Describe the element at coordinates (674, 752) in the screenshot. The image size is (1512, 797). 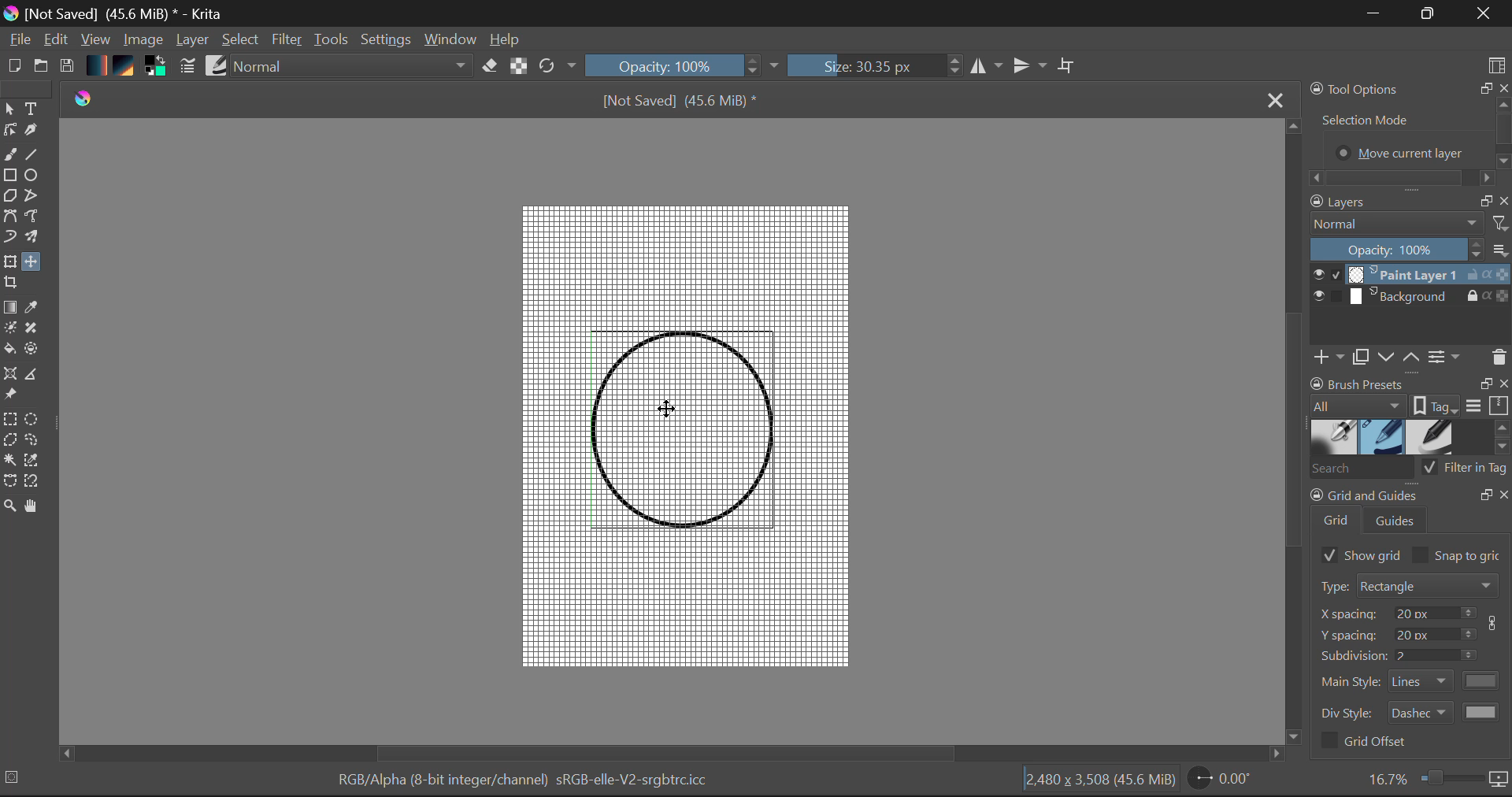
I see `Scroll Bar` at that location.